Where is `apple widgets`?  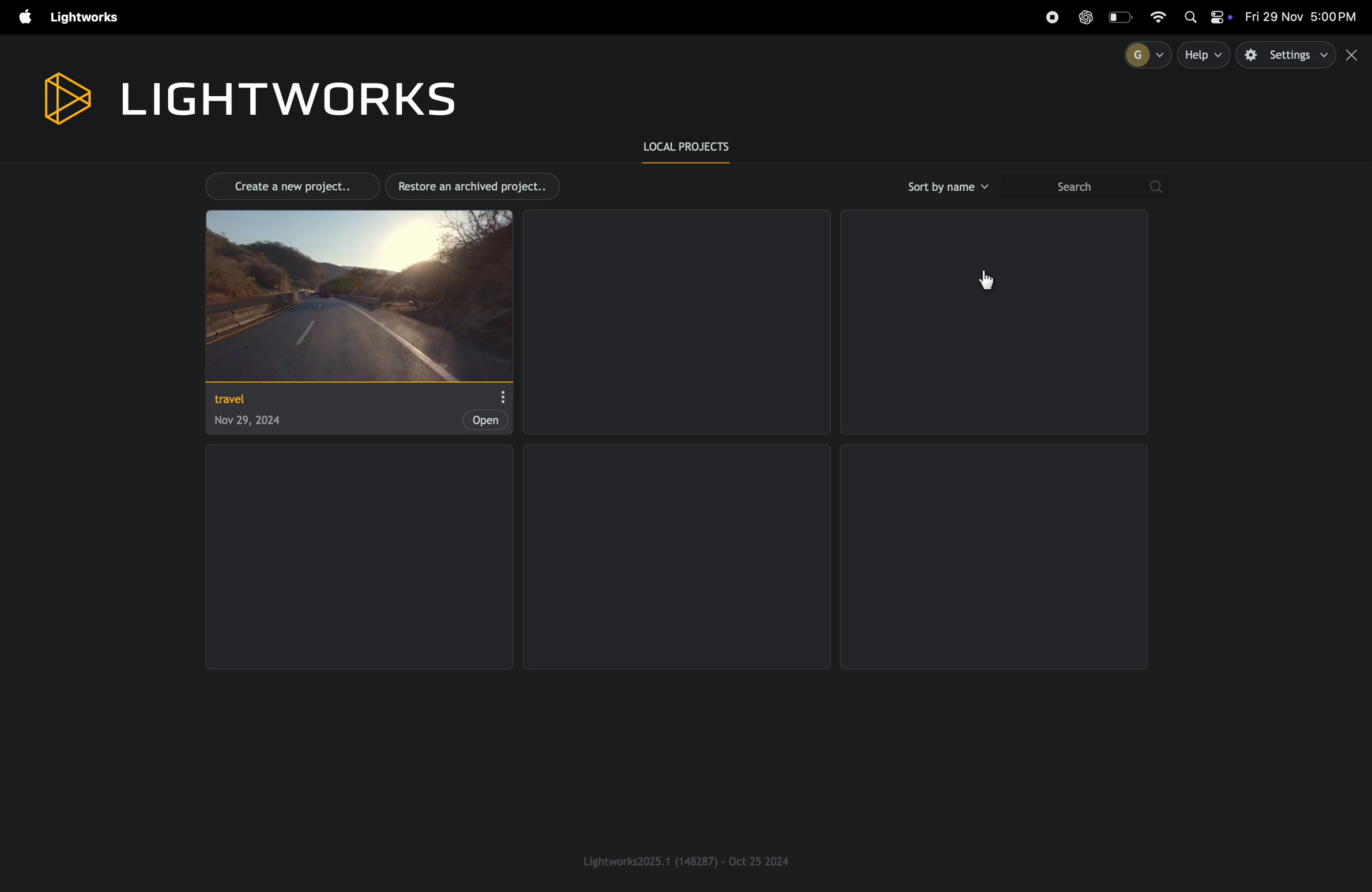
apple widgets is located at coordinates (1207, 18).